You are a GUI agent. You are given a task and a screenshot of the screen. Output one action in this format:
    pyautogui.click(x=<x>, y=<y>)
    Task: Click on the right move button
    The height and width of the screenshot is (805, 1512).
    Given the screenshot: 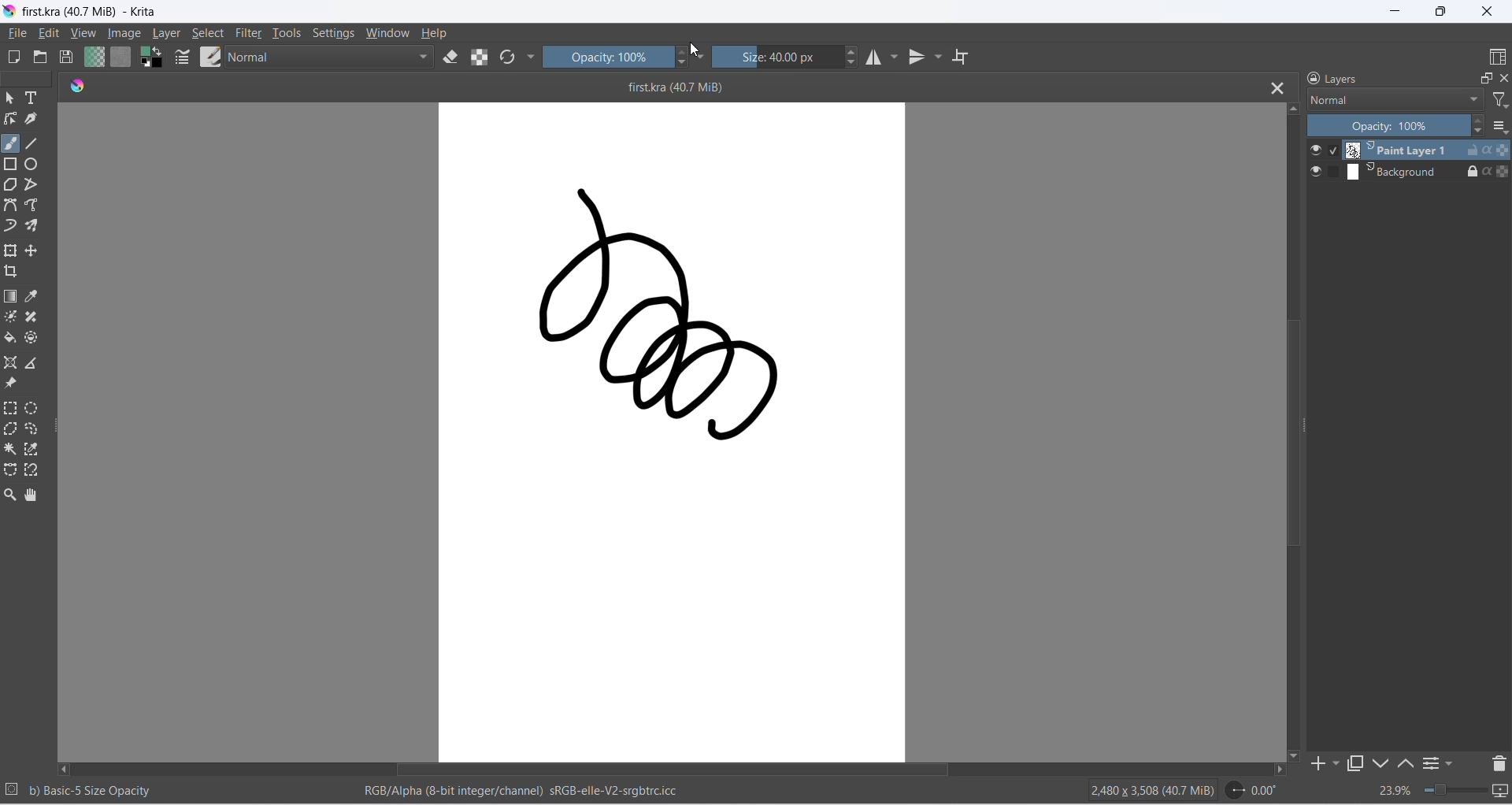 What is the action you would take?
    pyautogui.click(x=1280, y=770)
    